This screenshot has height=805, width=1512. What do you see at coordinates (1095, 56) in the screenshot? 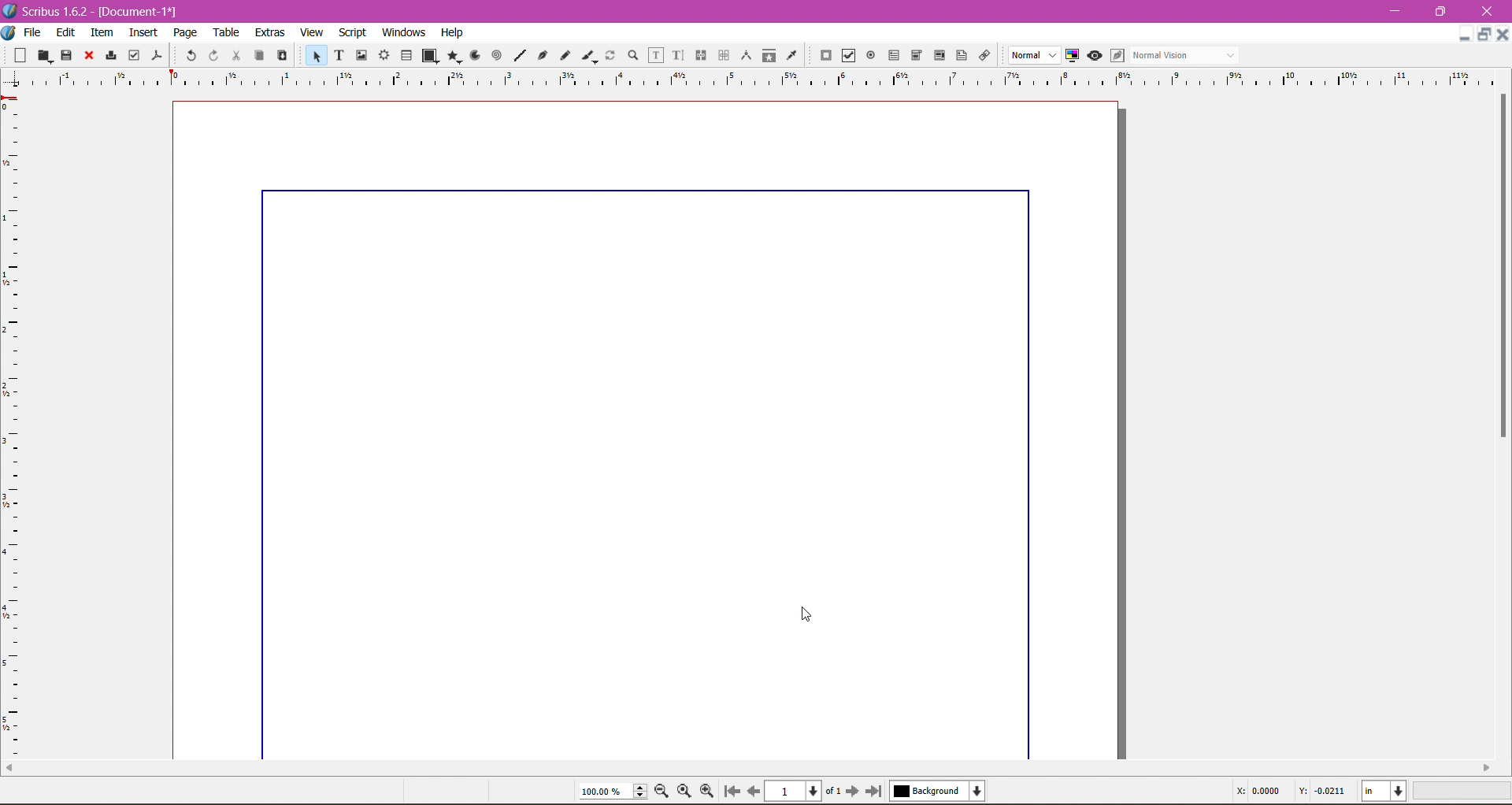
I see `Preview mode` at bounding box center [1095, 56].